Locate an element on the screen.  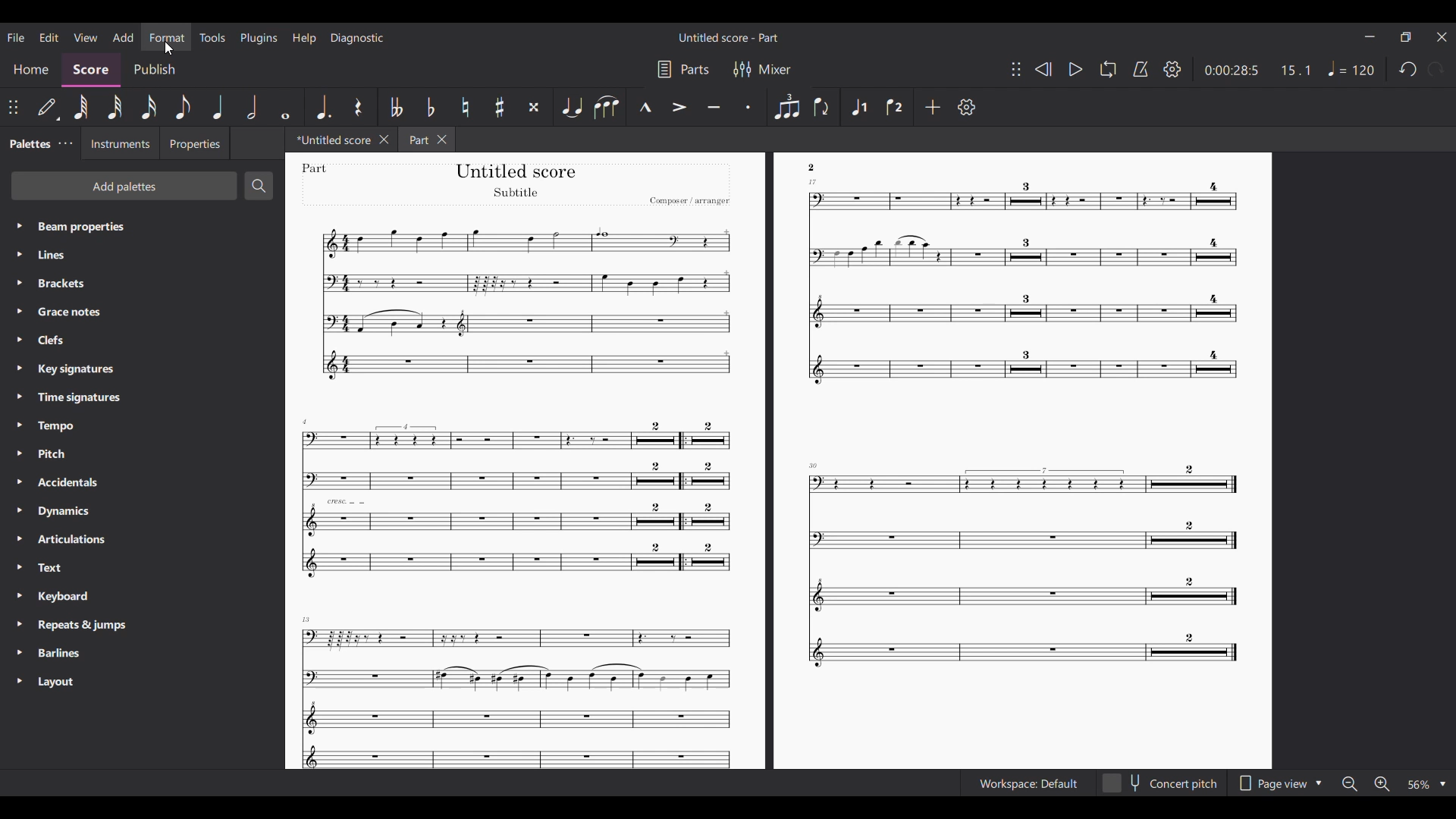
Grasce notes is located at coordinates (74, 313).